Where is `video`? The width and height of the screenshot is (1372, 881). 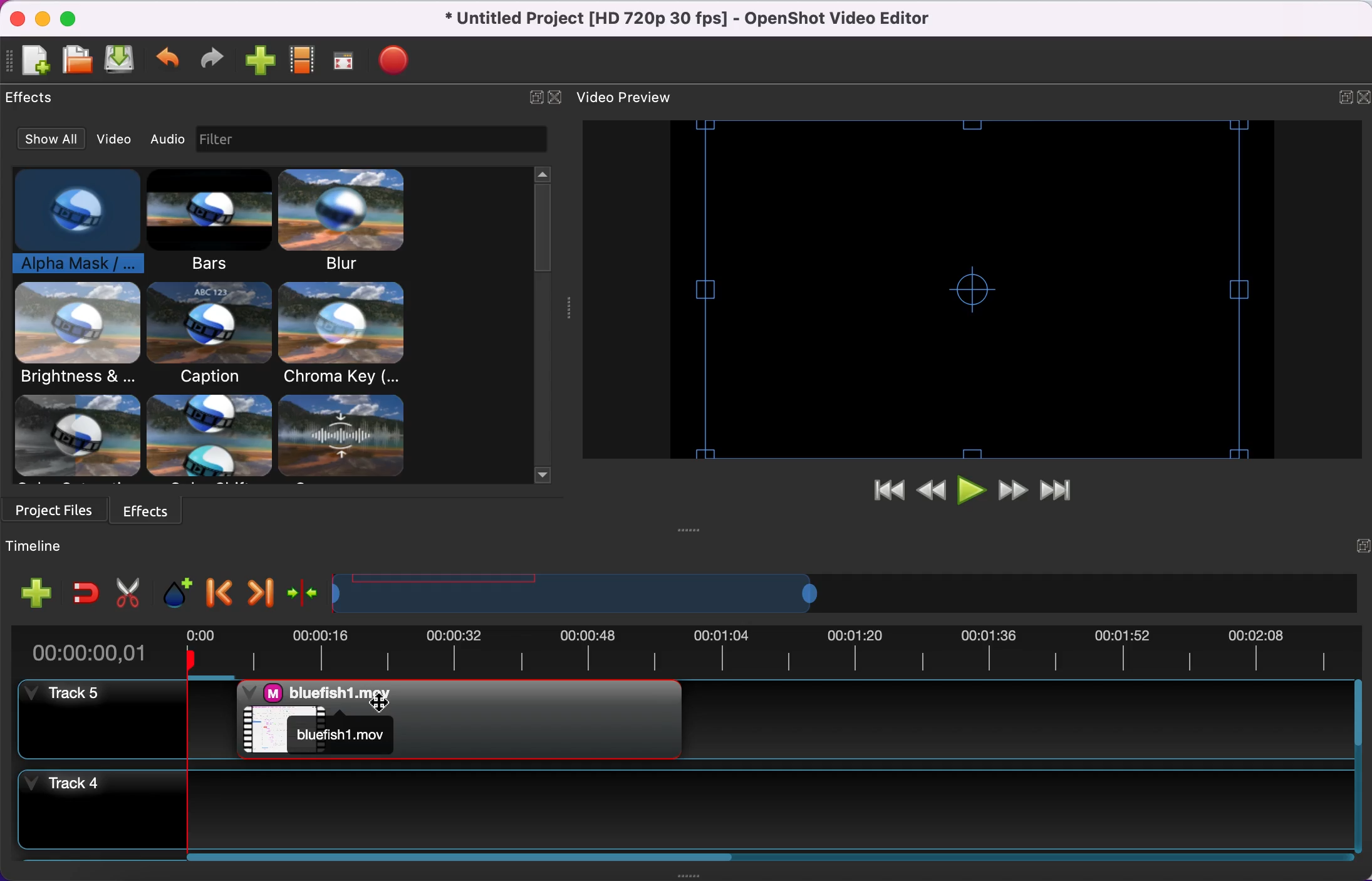
video is located at coordinates (115, 138).